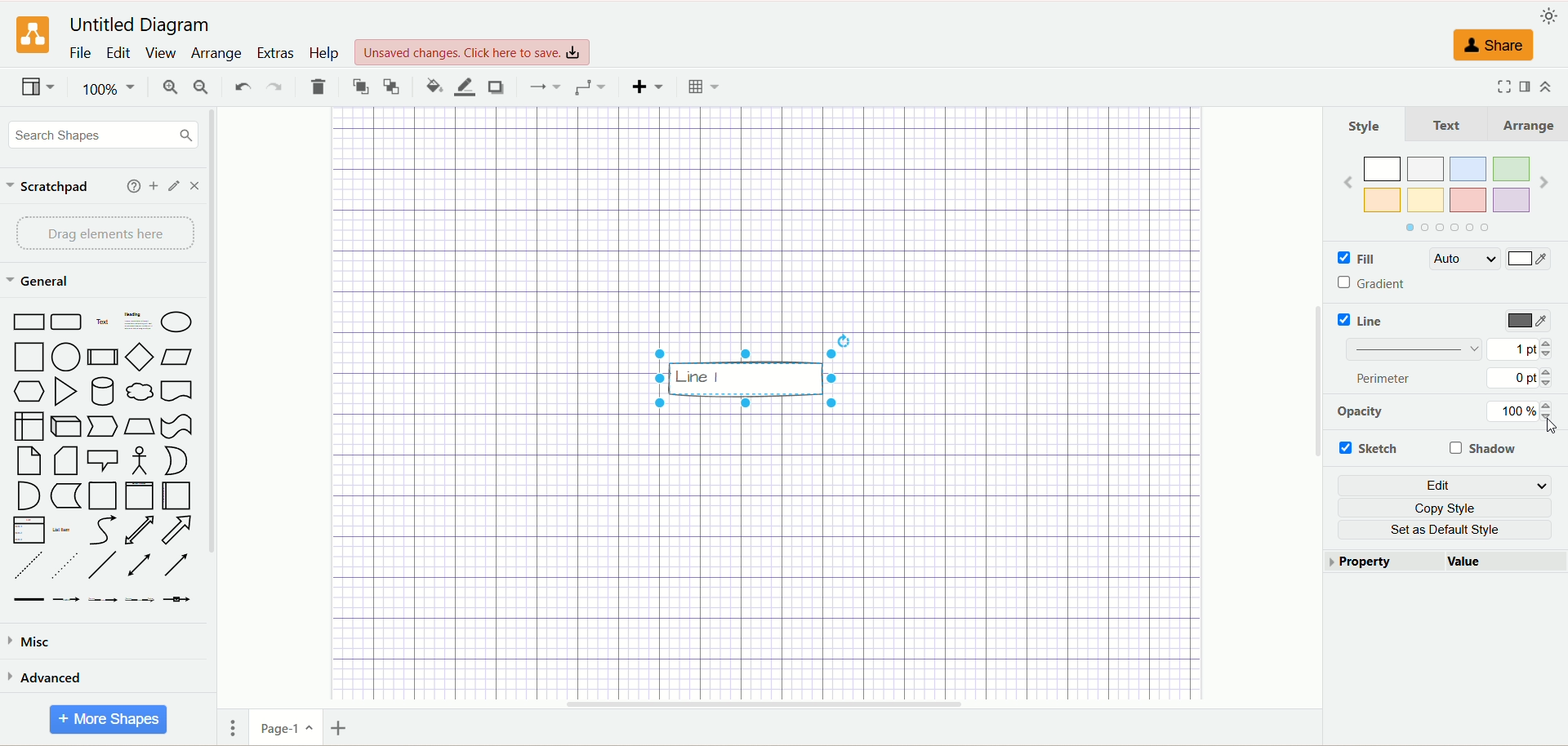 This screenshot has height=746, width=1568. I want to click on Text, so click(104, 321).